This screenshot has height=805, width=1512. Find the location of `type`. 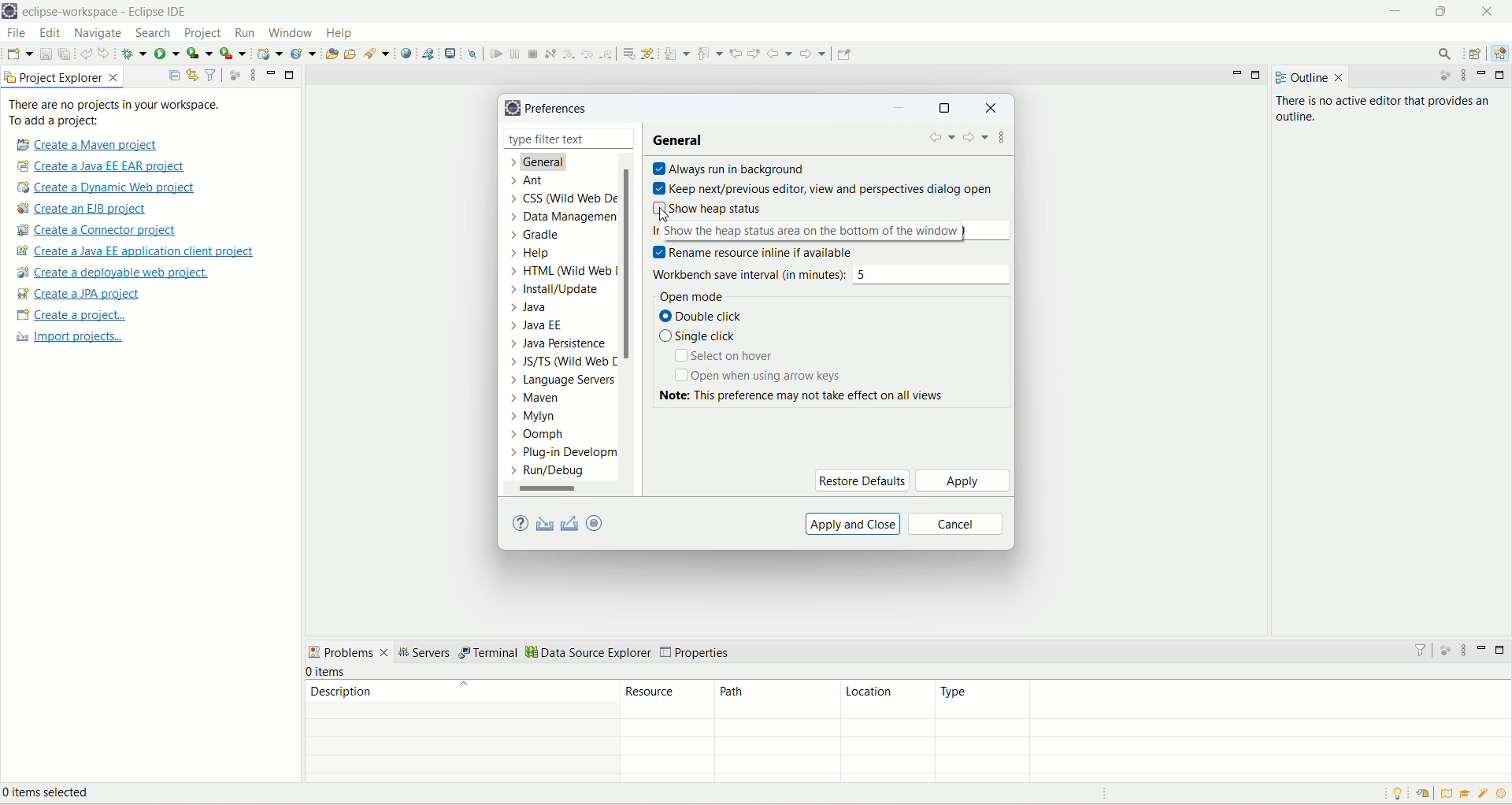

type is located at coordinates (1222, 699).